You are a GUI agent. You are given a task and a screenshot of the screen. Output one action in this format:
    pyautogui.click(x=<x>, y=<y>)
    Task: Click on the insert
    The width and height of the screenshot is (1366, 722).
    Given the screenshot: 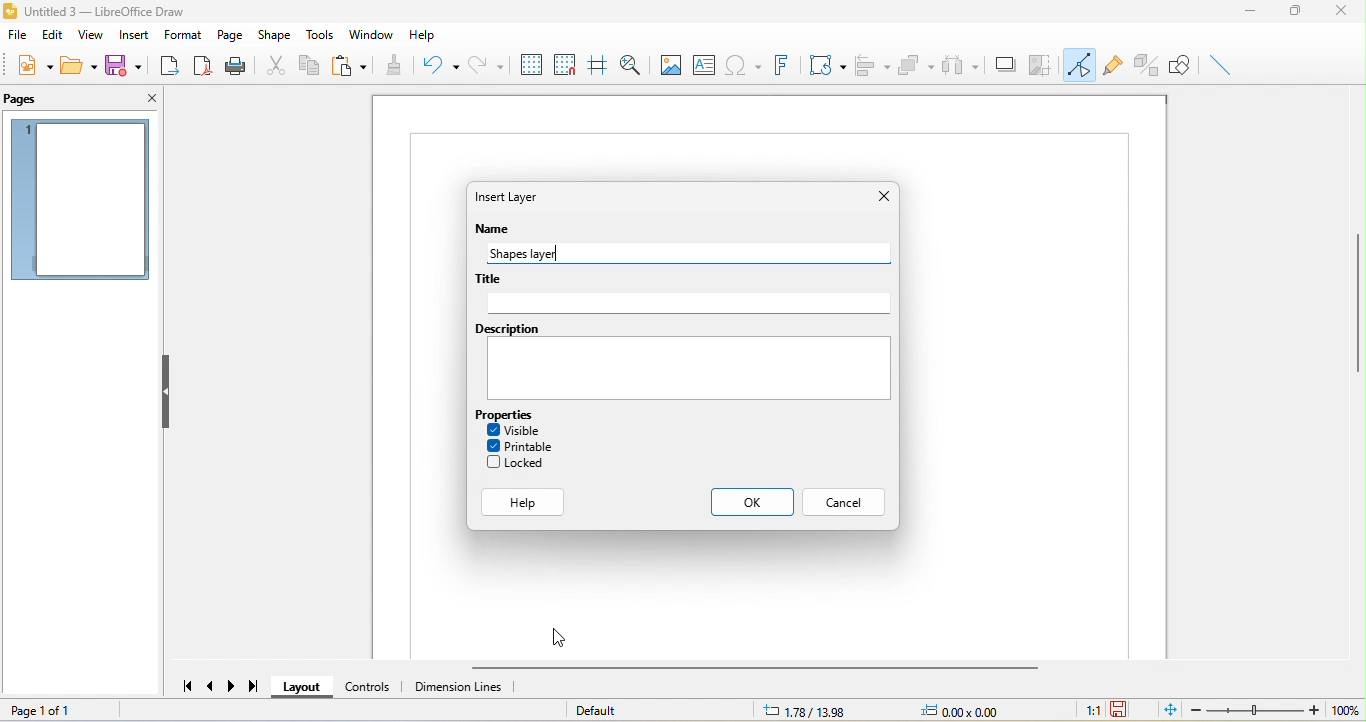 What is the action you would take?
    pyautogui.click(x=131, y=36)
    